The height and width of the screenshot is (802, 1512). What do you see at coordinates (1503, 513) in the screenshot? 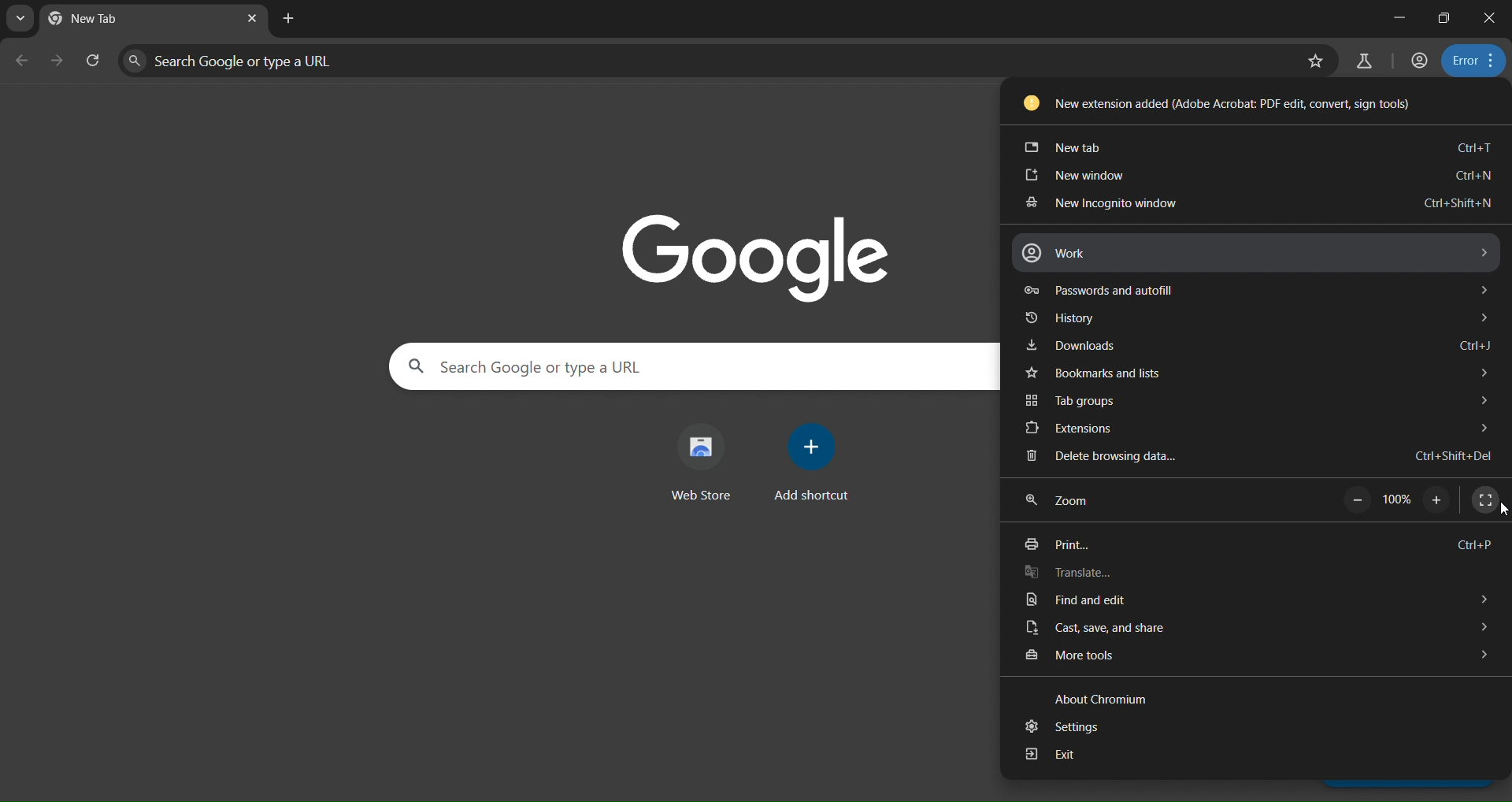
I see `cursor` at bounding box center [1503, 513].